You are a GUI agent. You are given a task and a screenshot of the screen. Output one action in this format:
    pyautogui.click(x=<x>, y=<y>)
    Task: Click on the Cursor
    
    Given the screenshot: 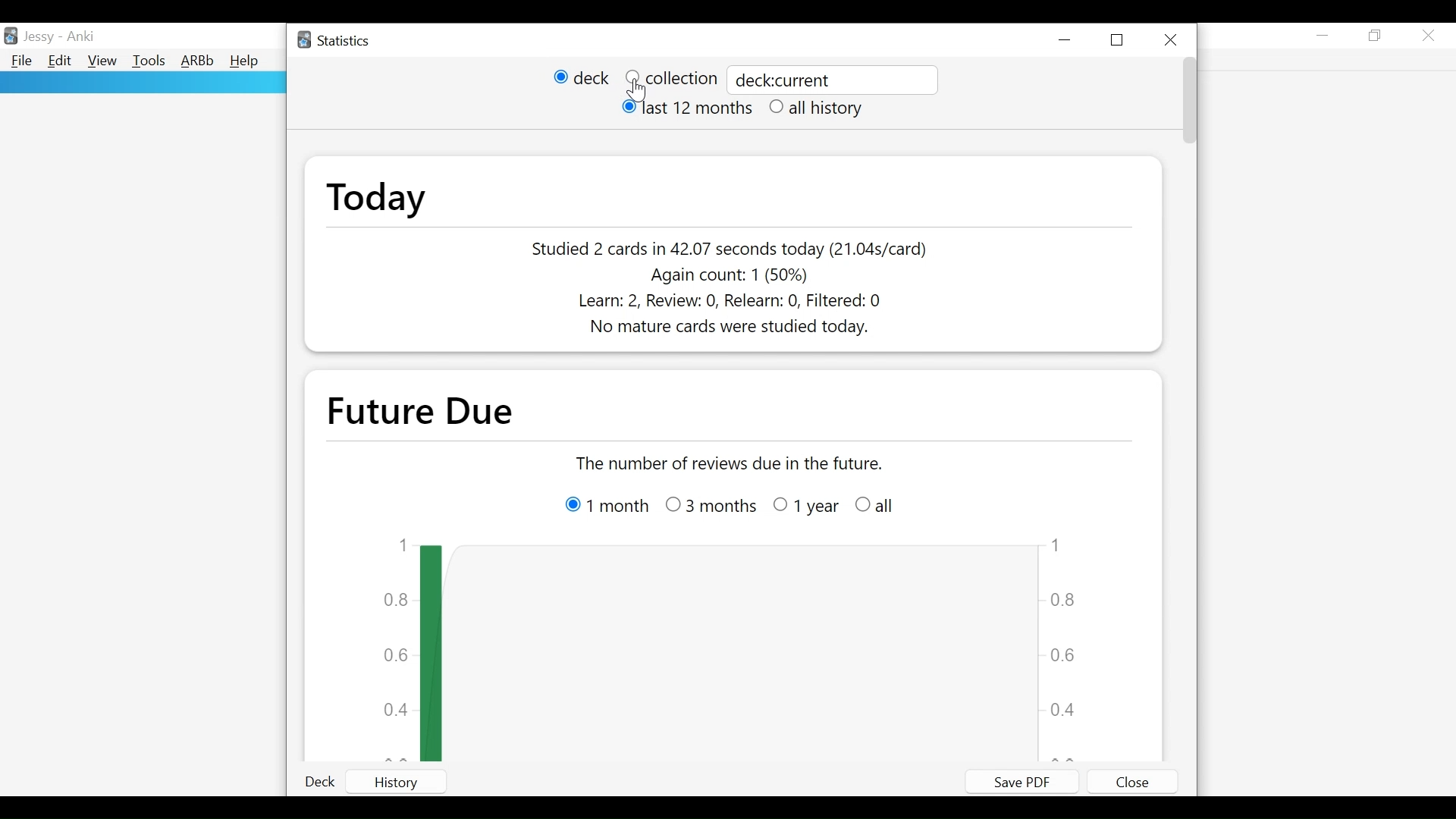 What is the action you would take?
    pyautogui.click(x=639, y=91)
    